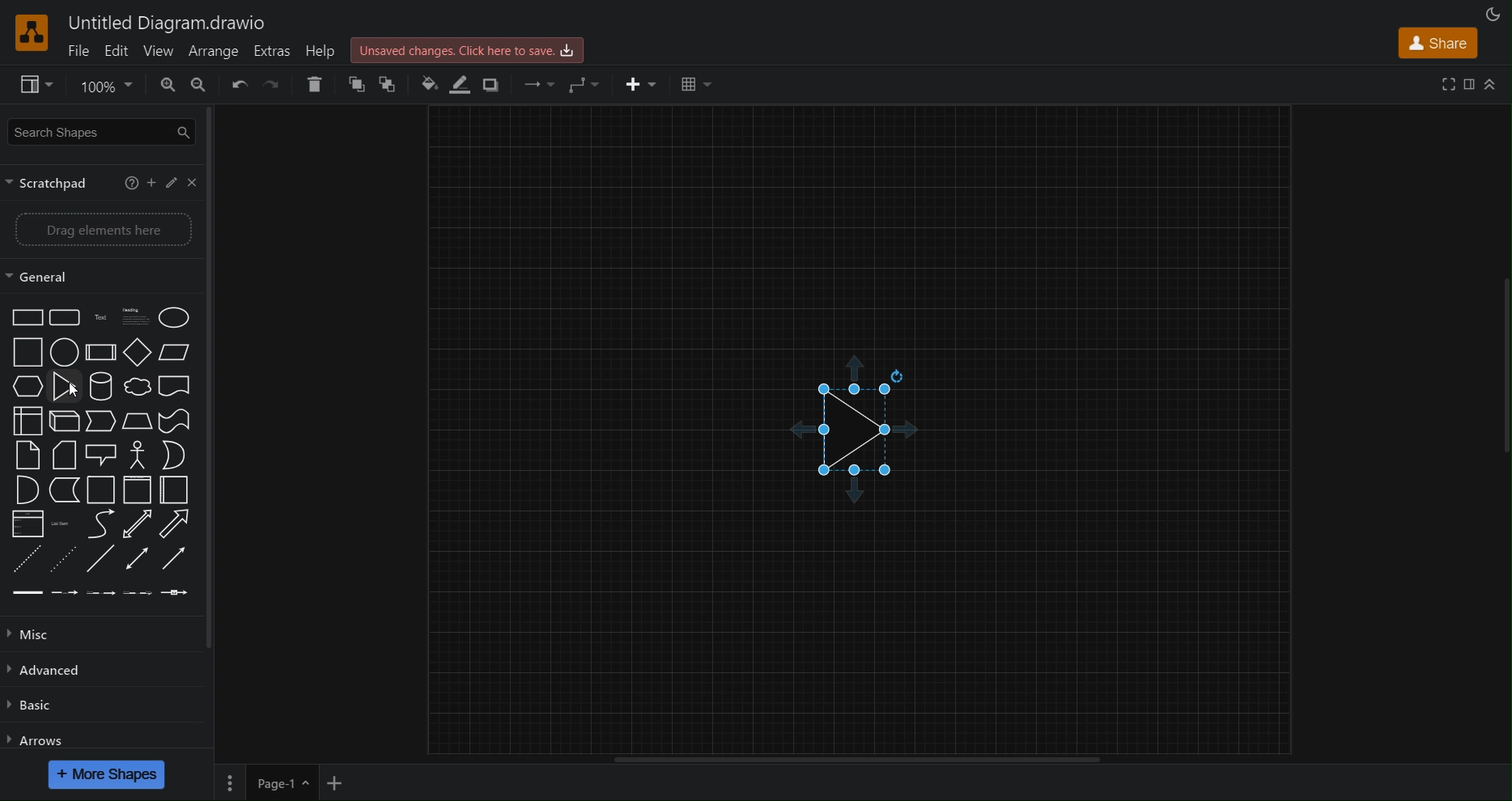 Image resolution: width=1512 pixels, height=801 pixels. I want to click on File , so click(81, 49).